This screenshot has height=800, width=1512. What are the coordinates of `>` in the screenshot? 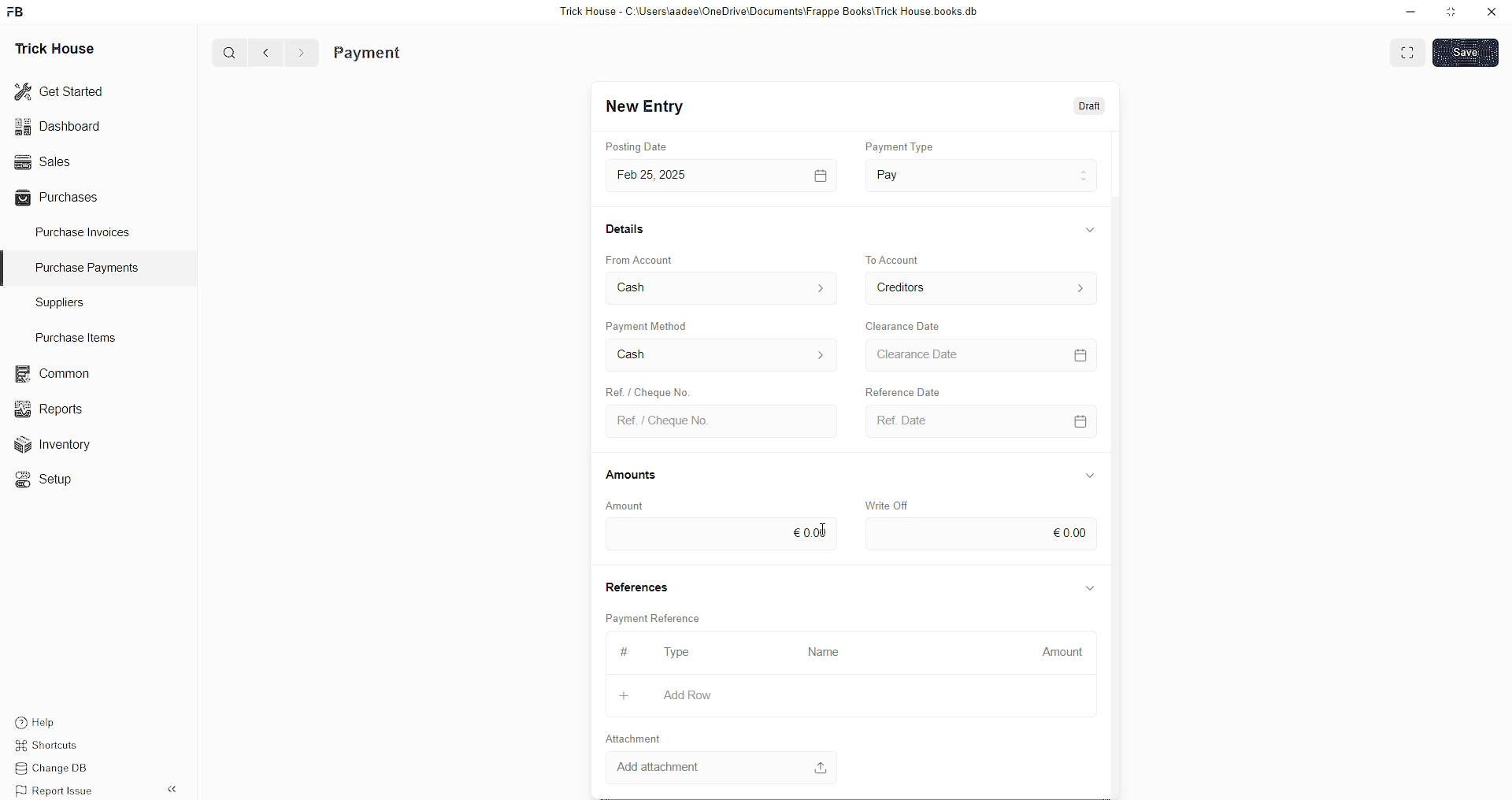 It's located at (301, 53).